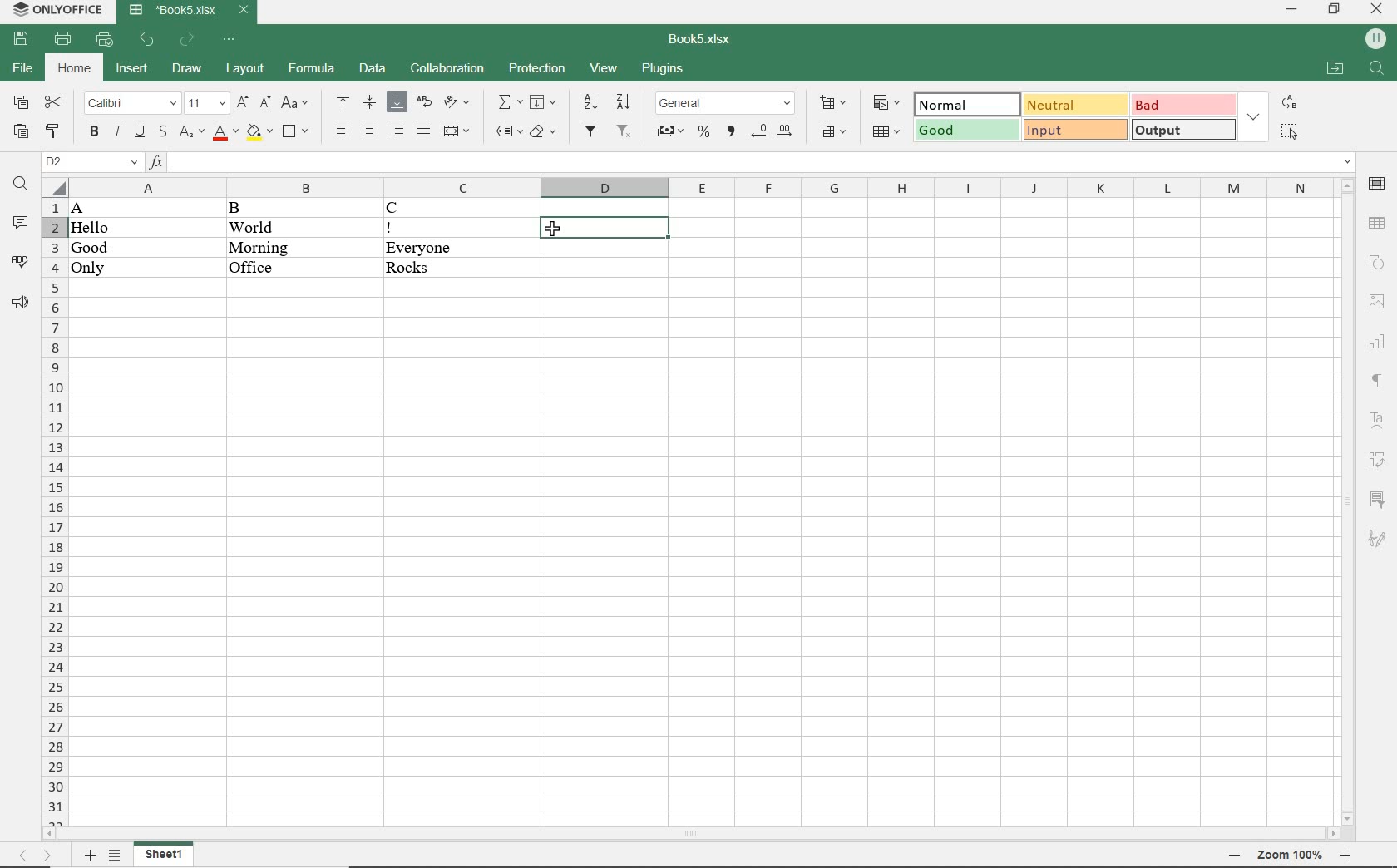 This screenshot has height=868, width=1397. Describe the element at coordinates (423, 104) in the screenshot. I see `wrap text` at that location.